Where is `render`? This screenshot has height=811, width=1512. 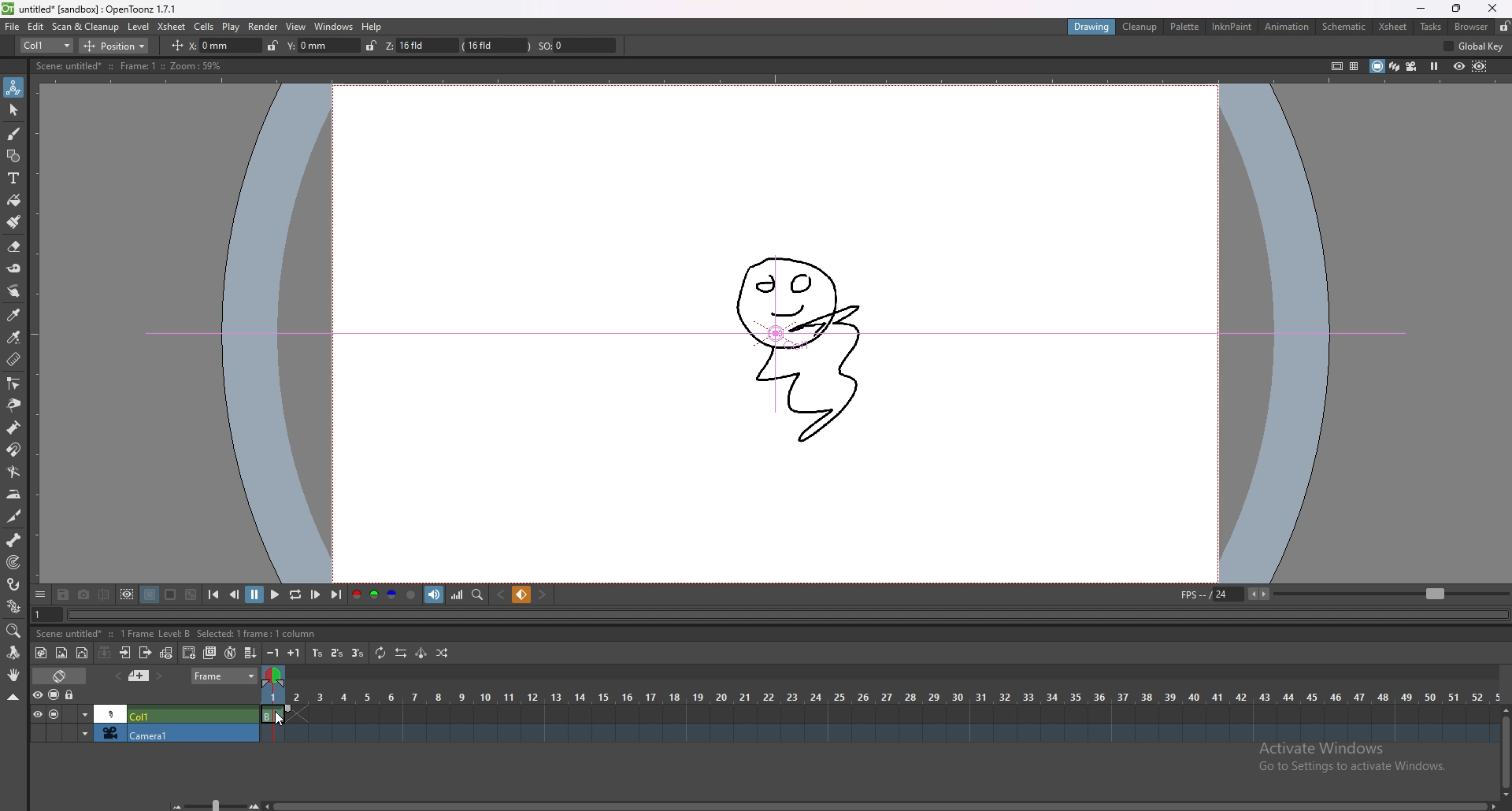
render is located at coordinates (264, 26).